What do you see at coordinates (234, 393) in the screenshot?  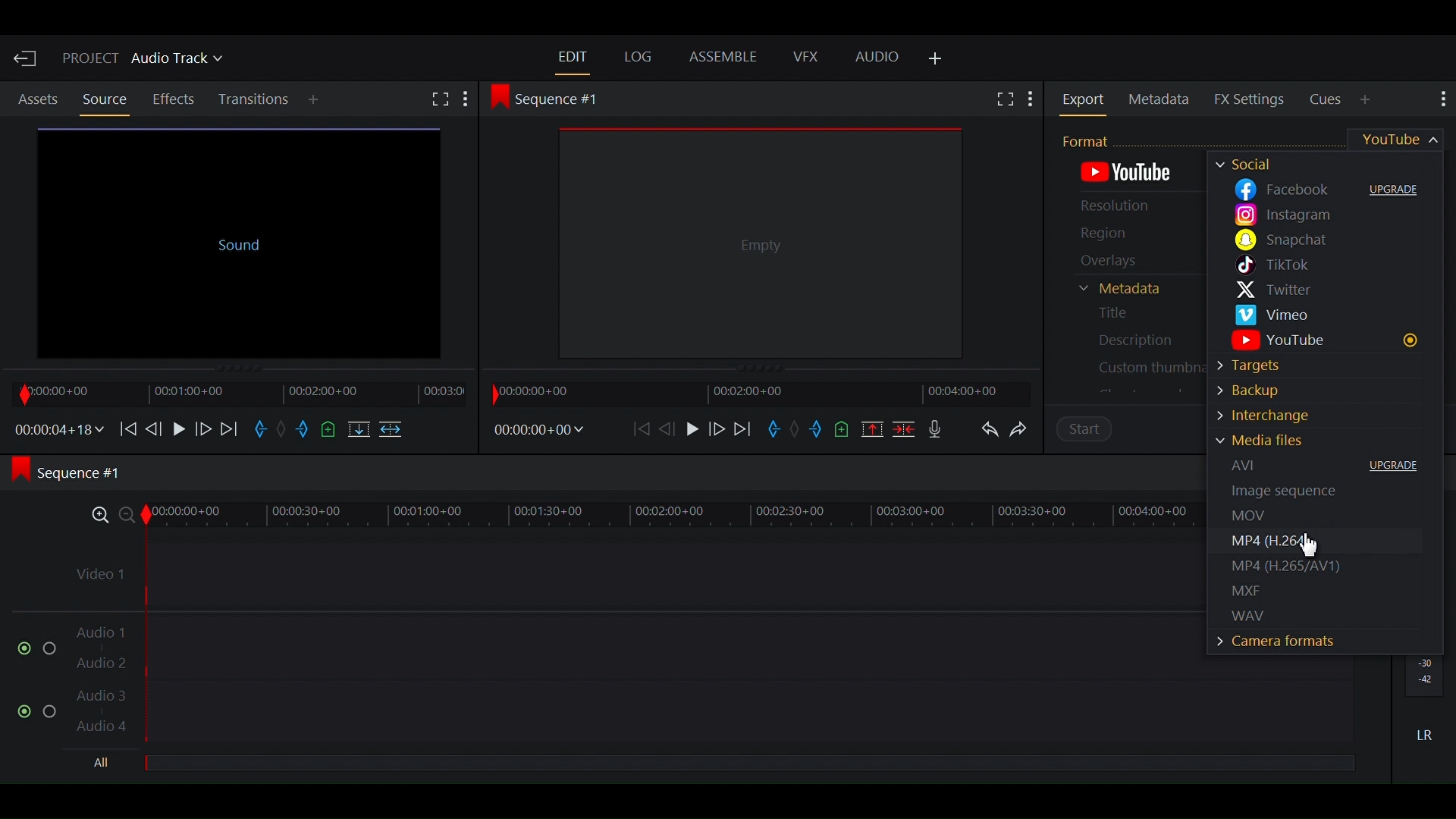 I see `Timeline` at bounding box center [234, 393].